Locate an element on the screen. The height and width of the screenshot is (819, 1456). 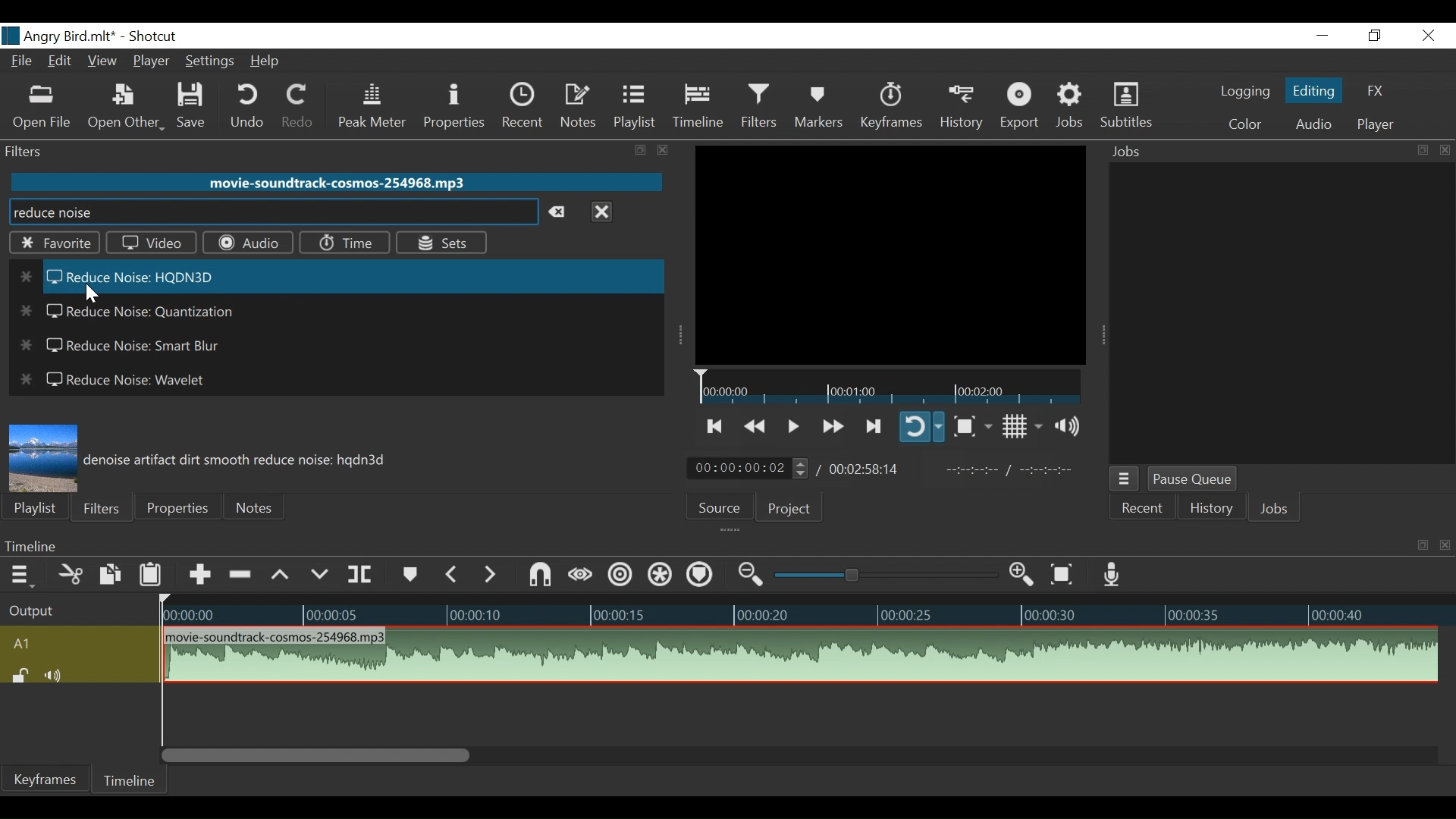
Shotcut is located at coordinates (154, 37).